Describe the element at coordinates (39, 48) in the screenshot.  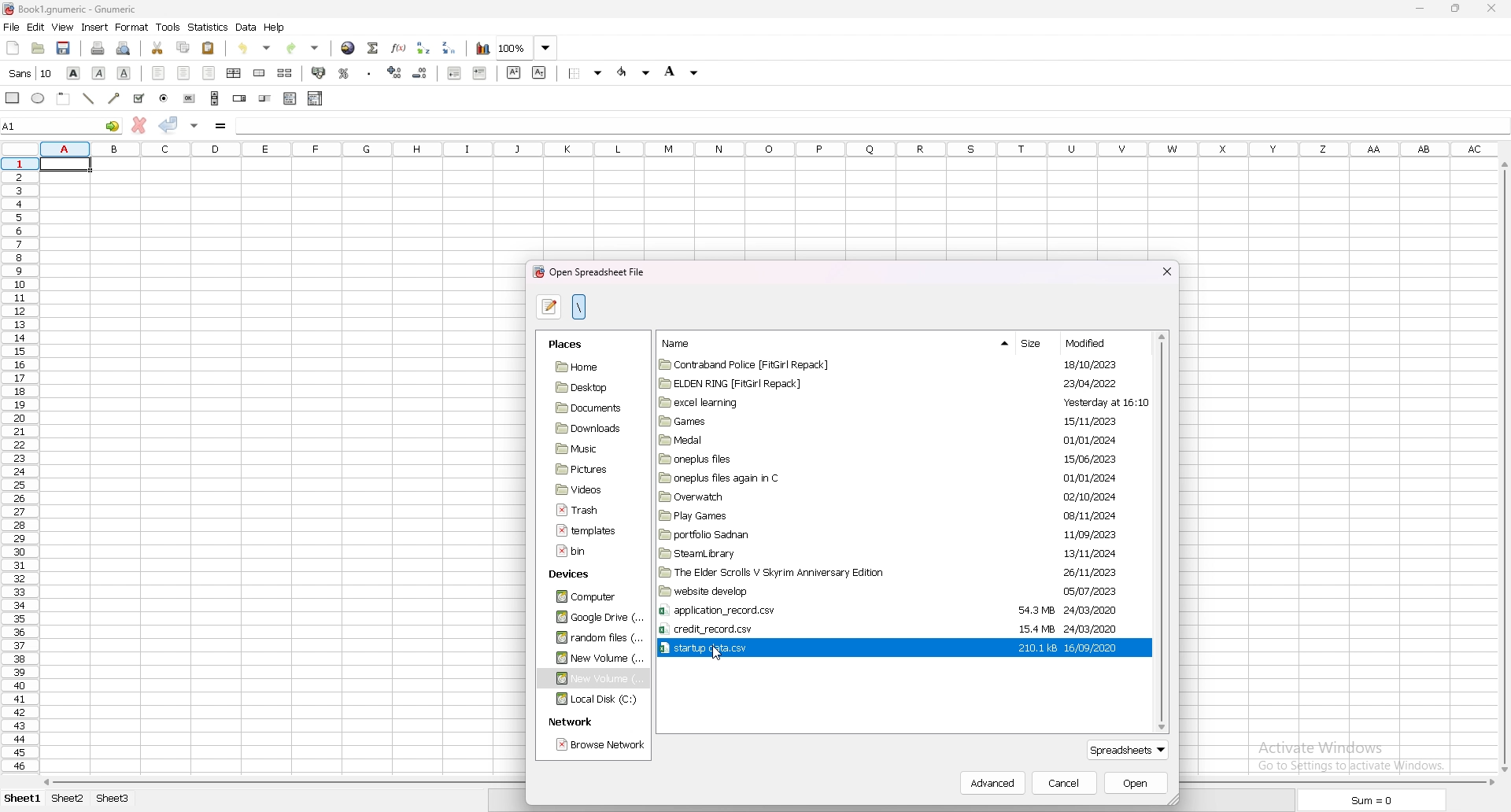
I see `open` at that location.